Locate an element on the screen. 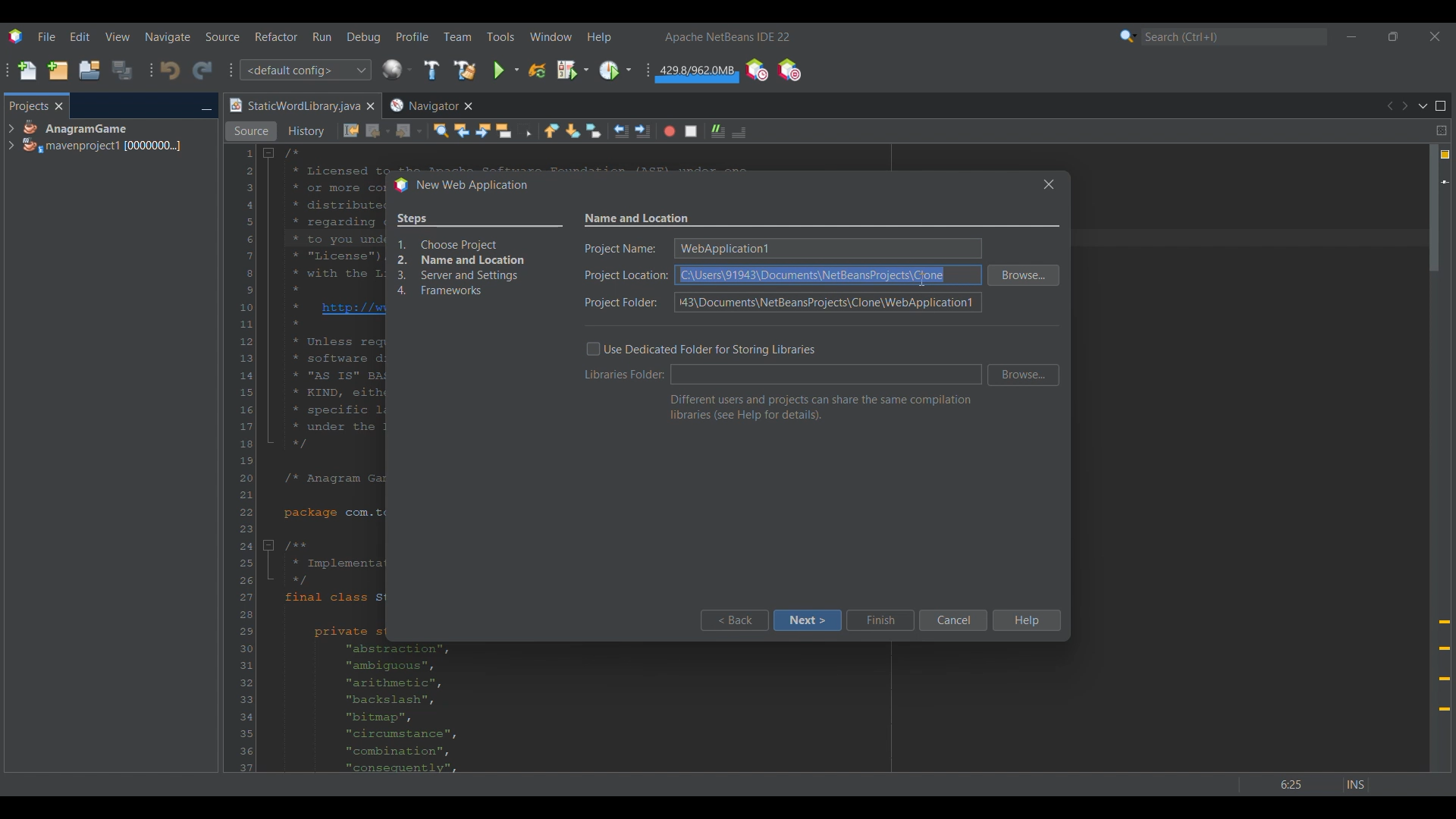 Image resolution: width=1456 pixels, height=819 pixels. Projects, current tab highlighted is located at coordinates (28, 105).